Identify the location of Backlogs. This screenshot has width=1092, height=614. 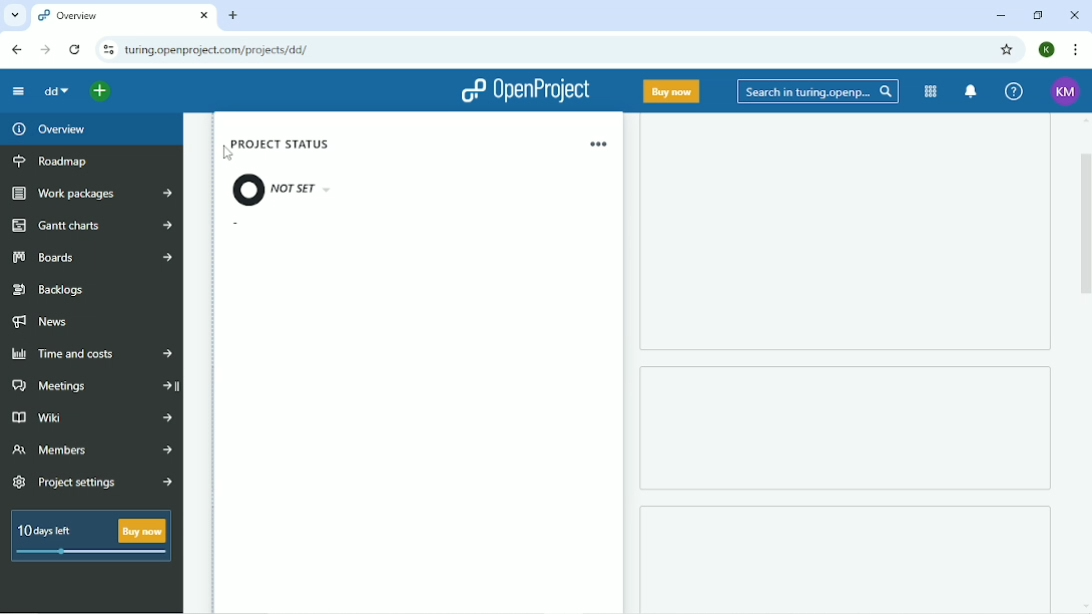
(49, 288).